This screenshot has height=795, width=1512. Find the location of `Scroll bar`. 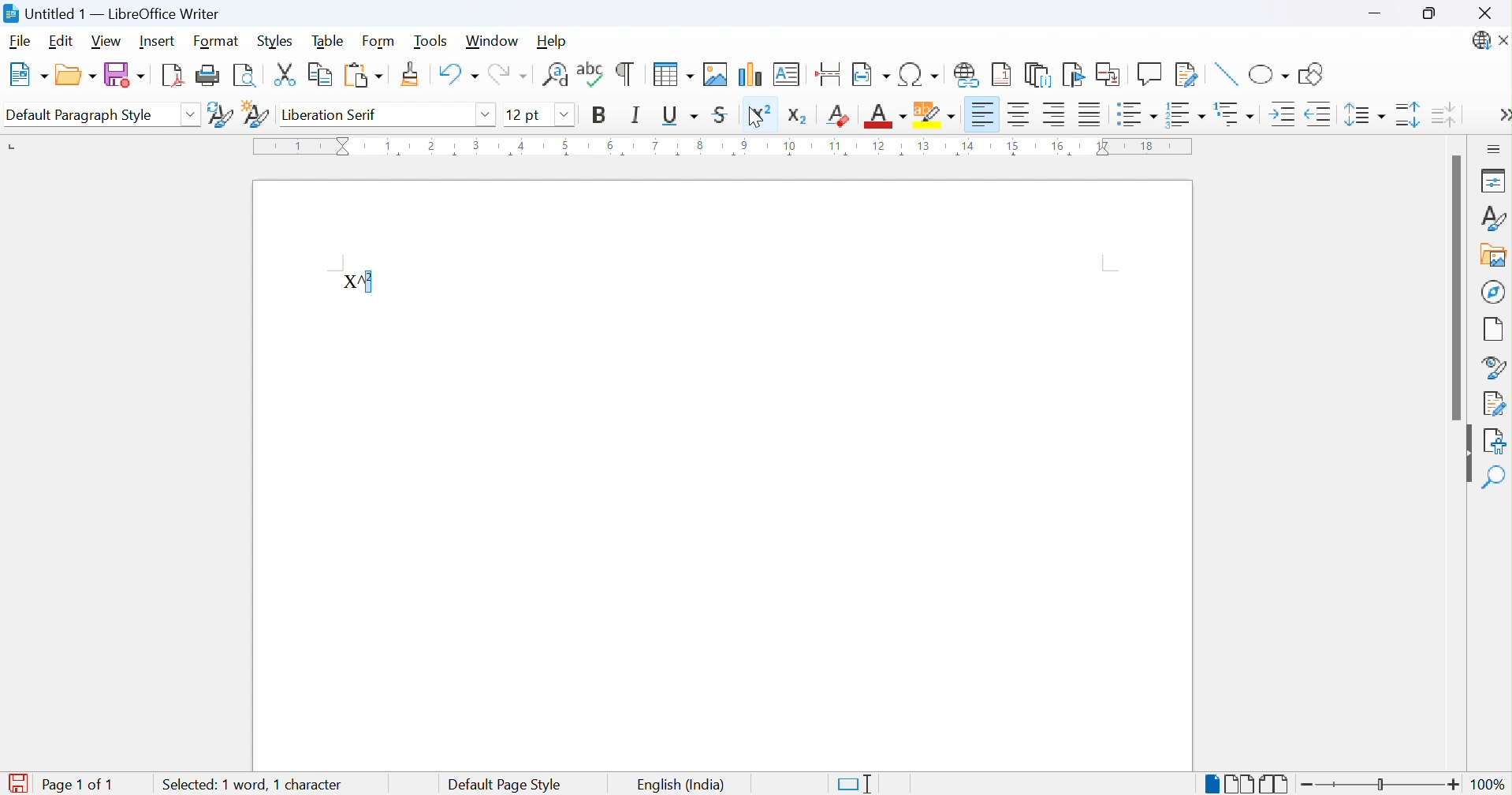

Scroll bar is located at coordinates (1458, 285).